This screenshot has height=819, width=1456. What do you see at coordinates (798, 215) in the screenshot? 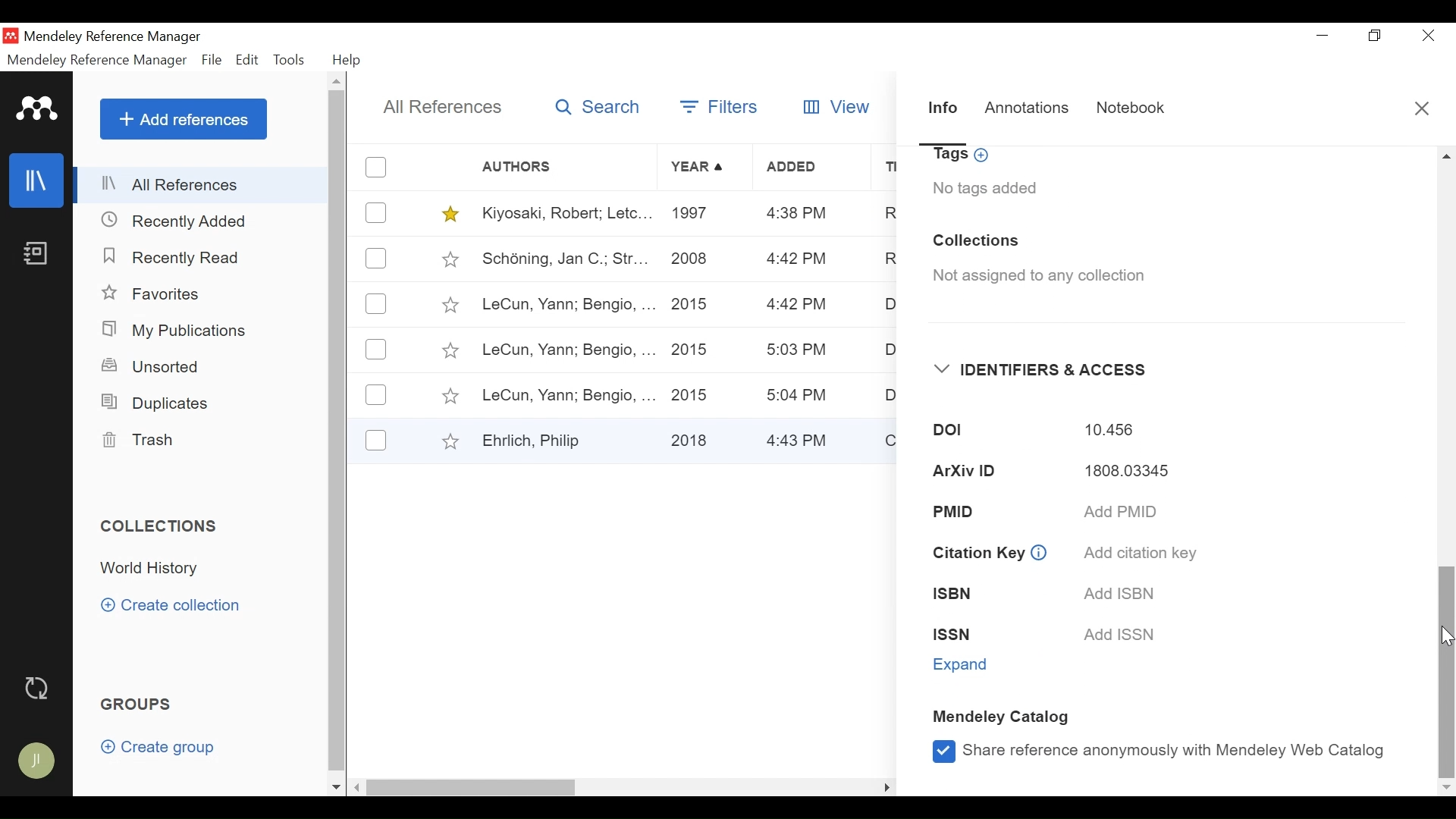
I see `4:38 PM` at bounding box center [798, 215].